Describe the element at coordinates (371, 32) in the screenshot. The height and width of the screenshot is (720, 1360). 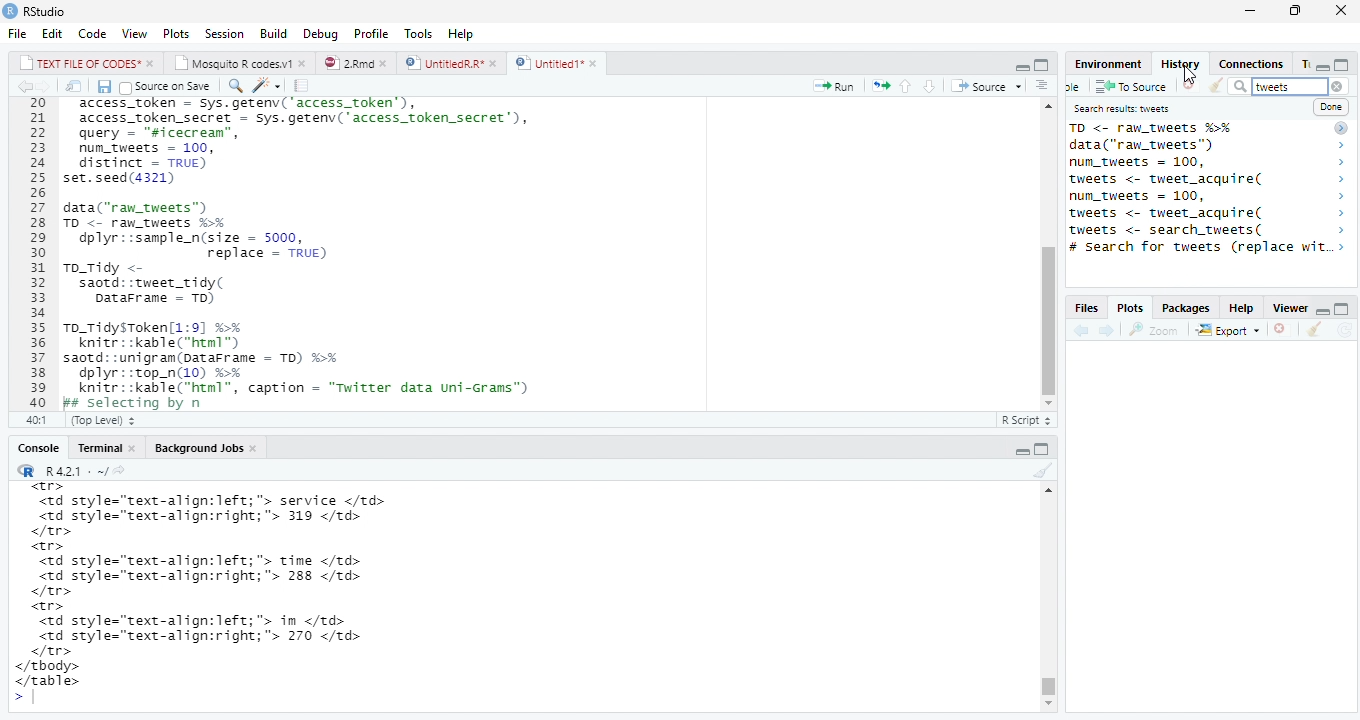
I see `Profile` at that location.